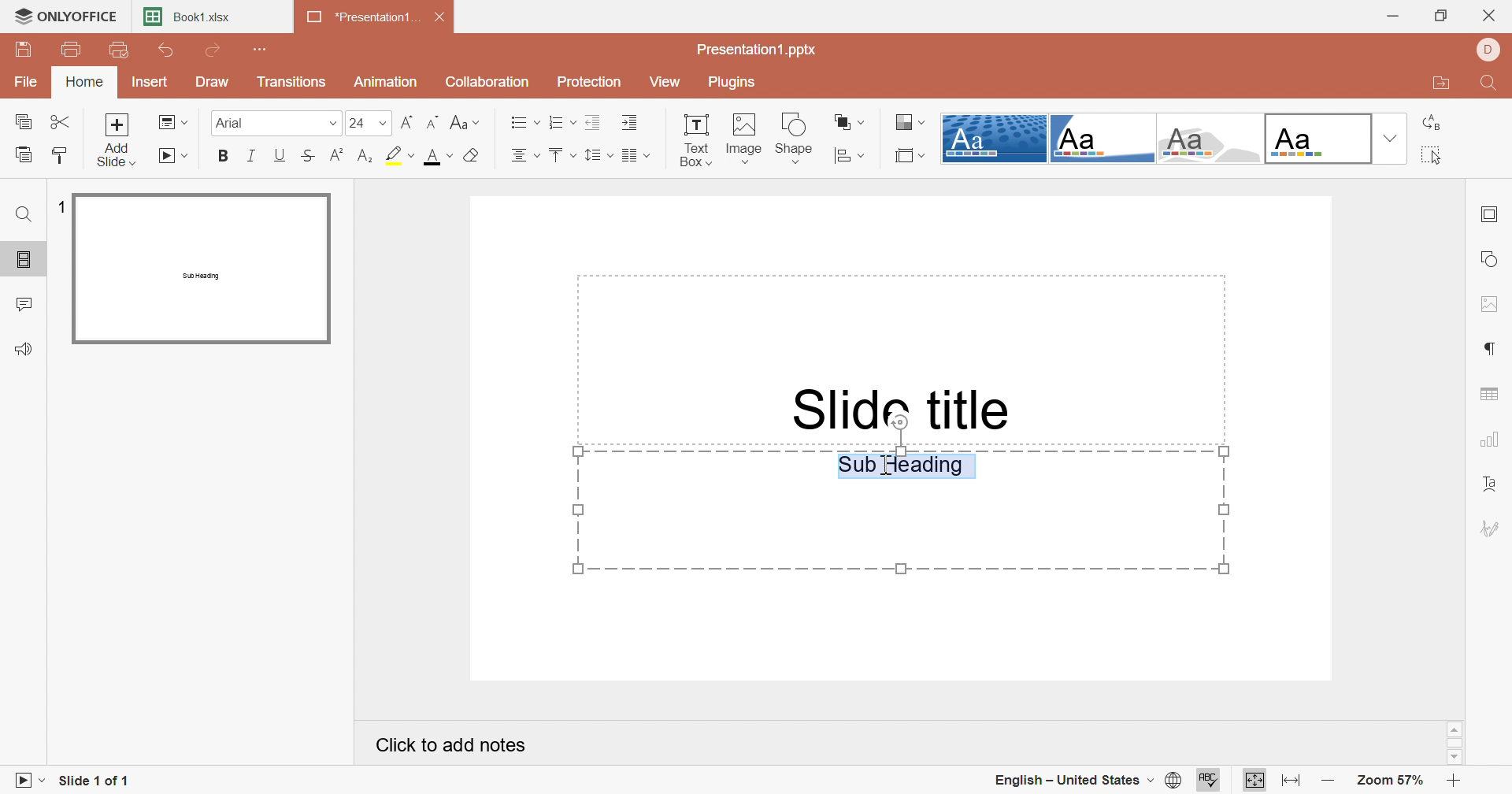  Describe the element at coordinates (1443, 17) in the screenshot. I see `Restore Down` at that location.